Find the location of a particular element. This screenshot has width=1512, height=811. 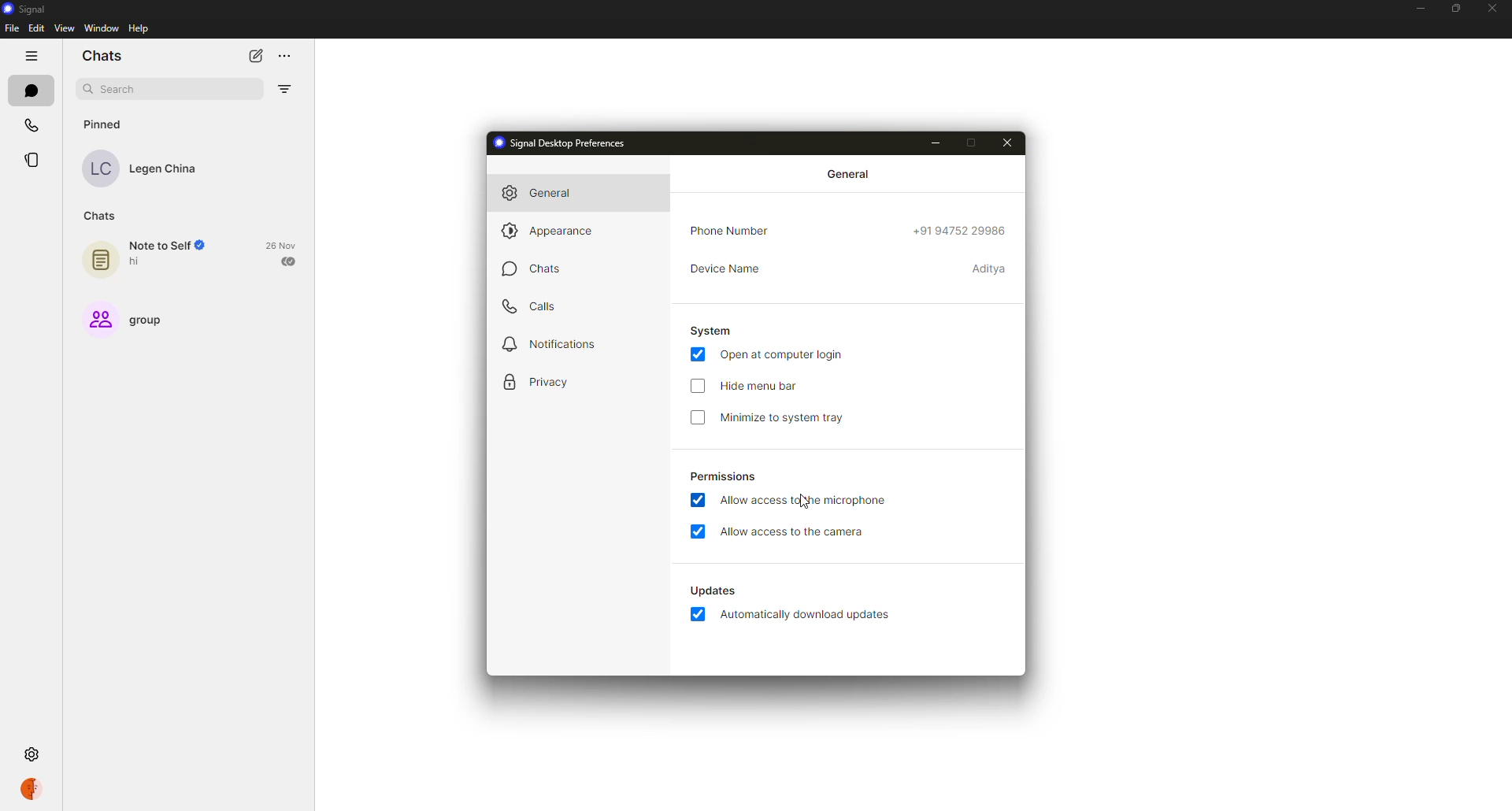

disabled is located at coordinates (695, 417).